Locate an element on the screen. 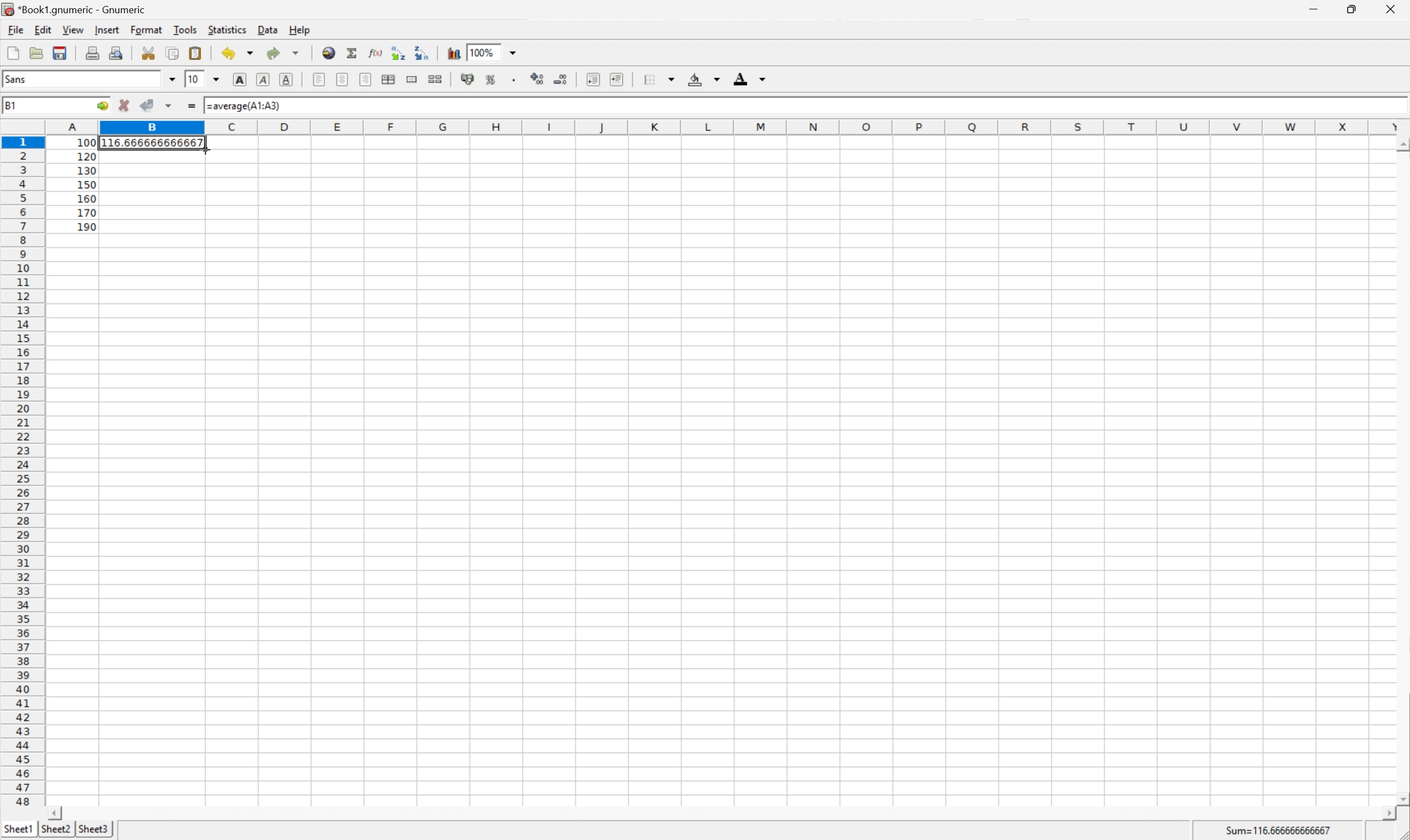 The width and height of the screenshot is (1410, 840). Edit function in current cell is located at coordinates (375, 53).